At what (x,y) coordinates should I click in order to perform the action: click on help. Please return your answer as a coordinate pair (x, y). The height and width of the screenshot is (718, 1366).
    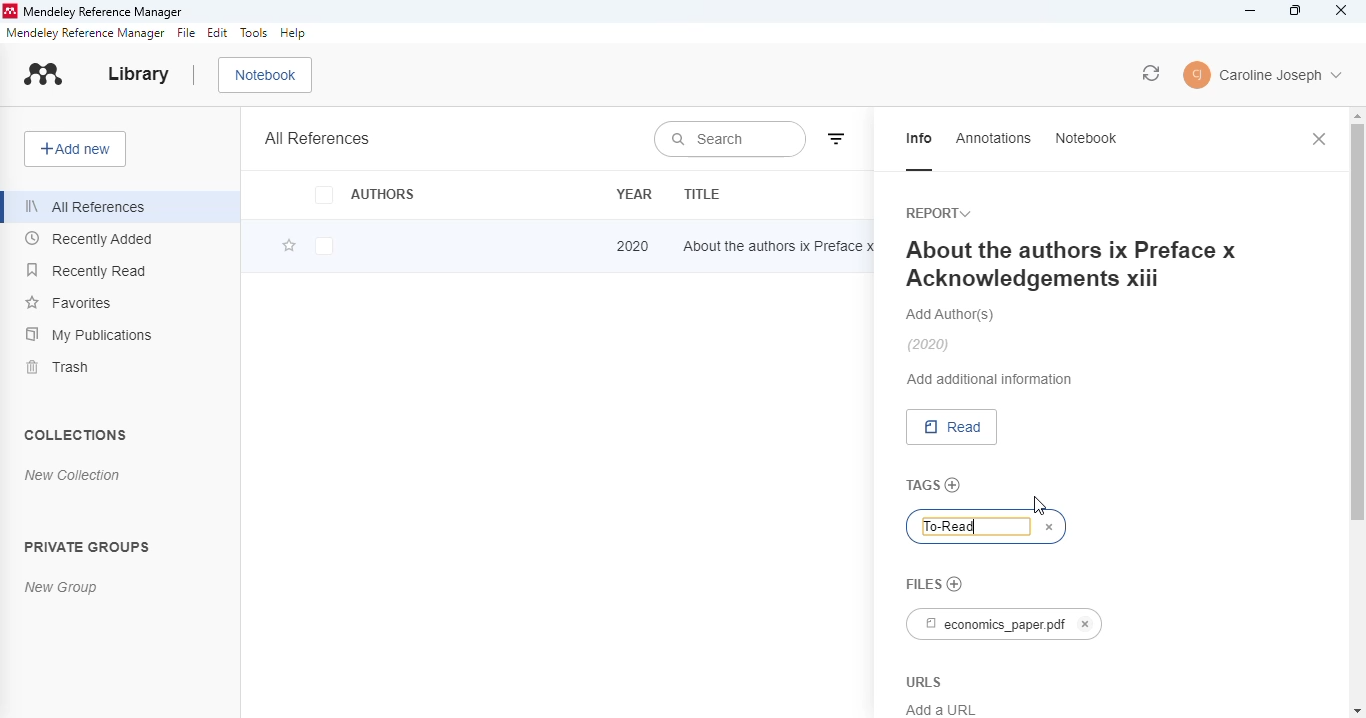
    Looking at the image, I should click on (294, 33).